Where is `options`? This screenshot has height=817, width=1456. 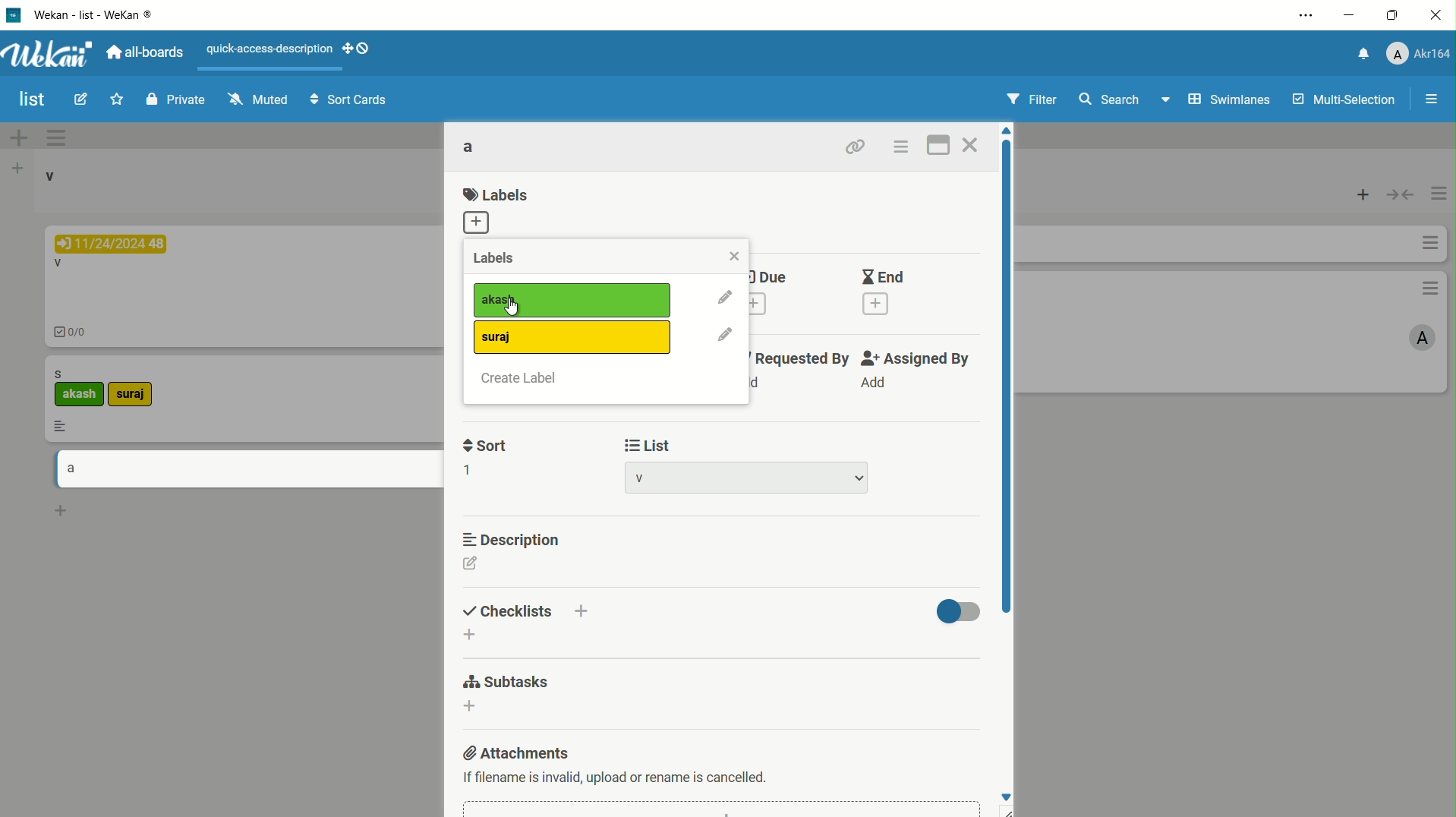
options is located at coordinates (1439, 190).